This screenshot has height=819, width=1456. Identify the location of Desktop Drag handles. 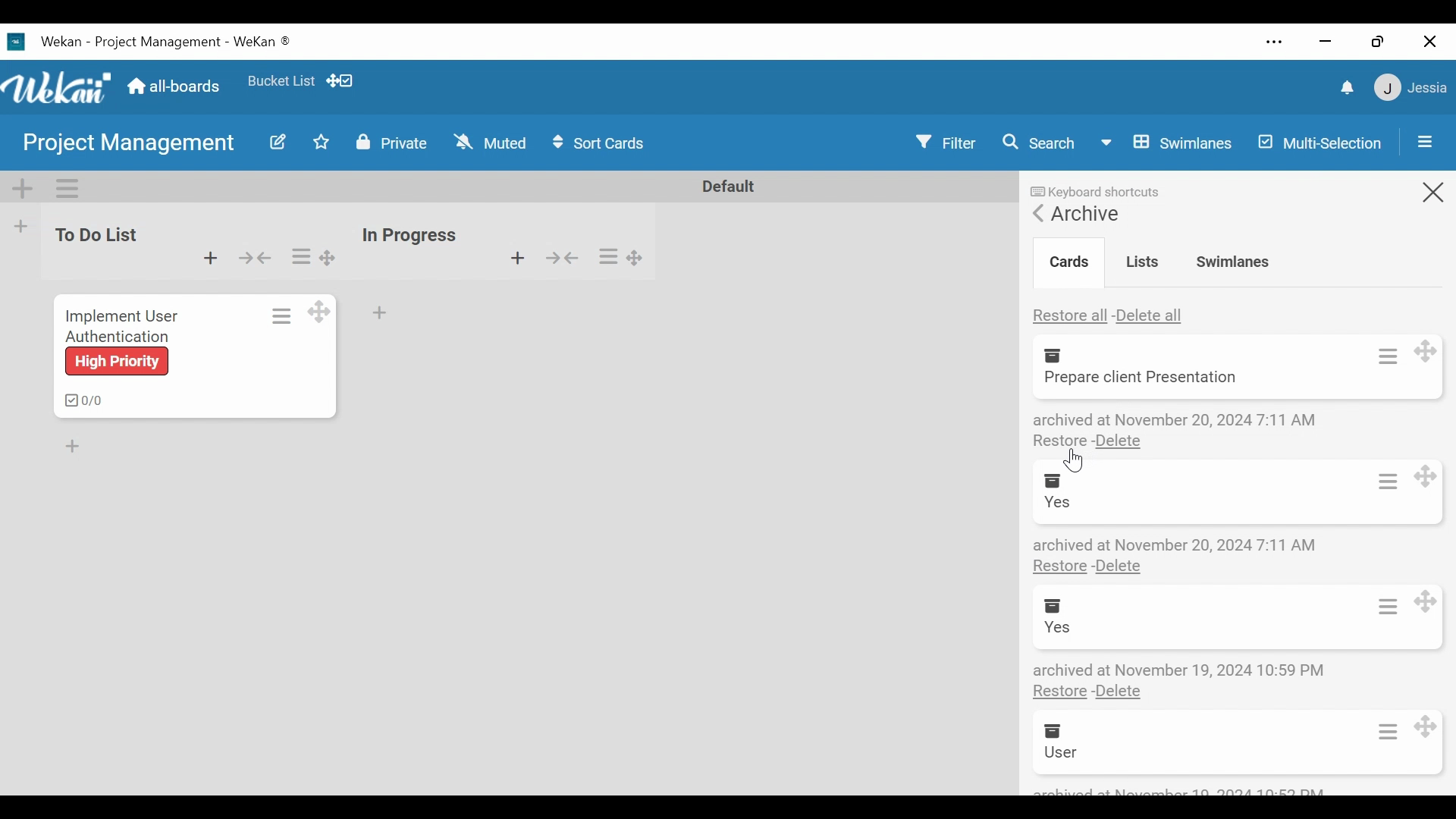
(318, 312).